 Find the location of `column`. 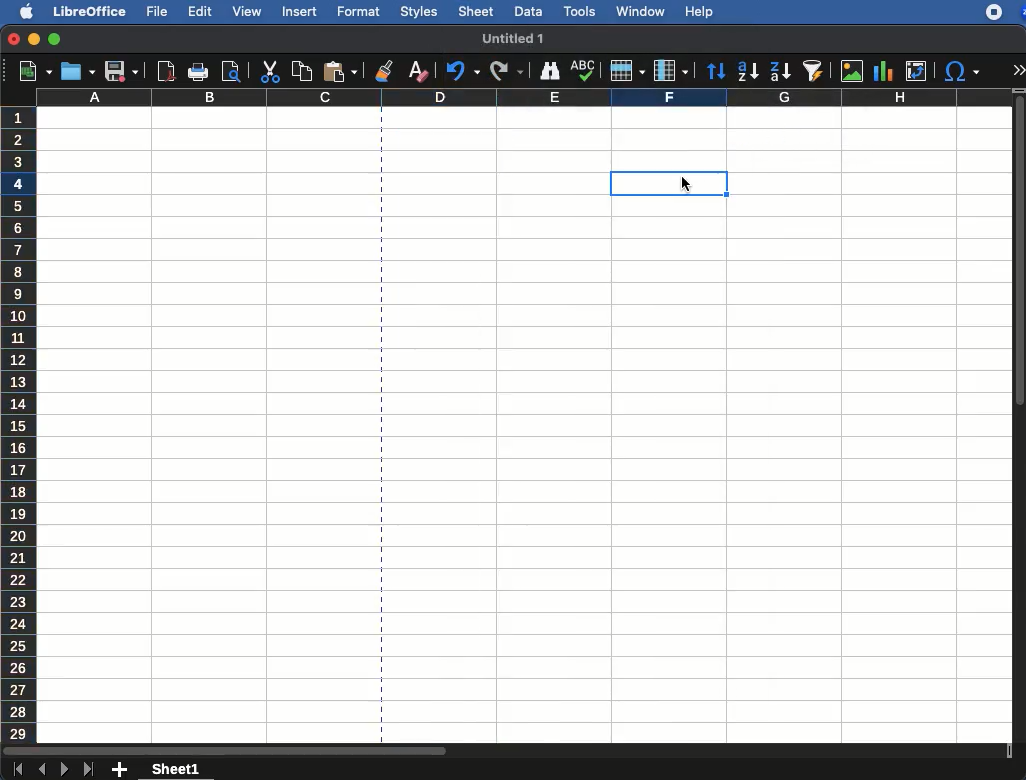

column is located at coordinates (524, 98).